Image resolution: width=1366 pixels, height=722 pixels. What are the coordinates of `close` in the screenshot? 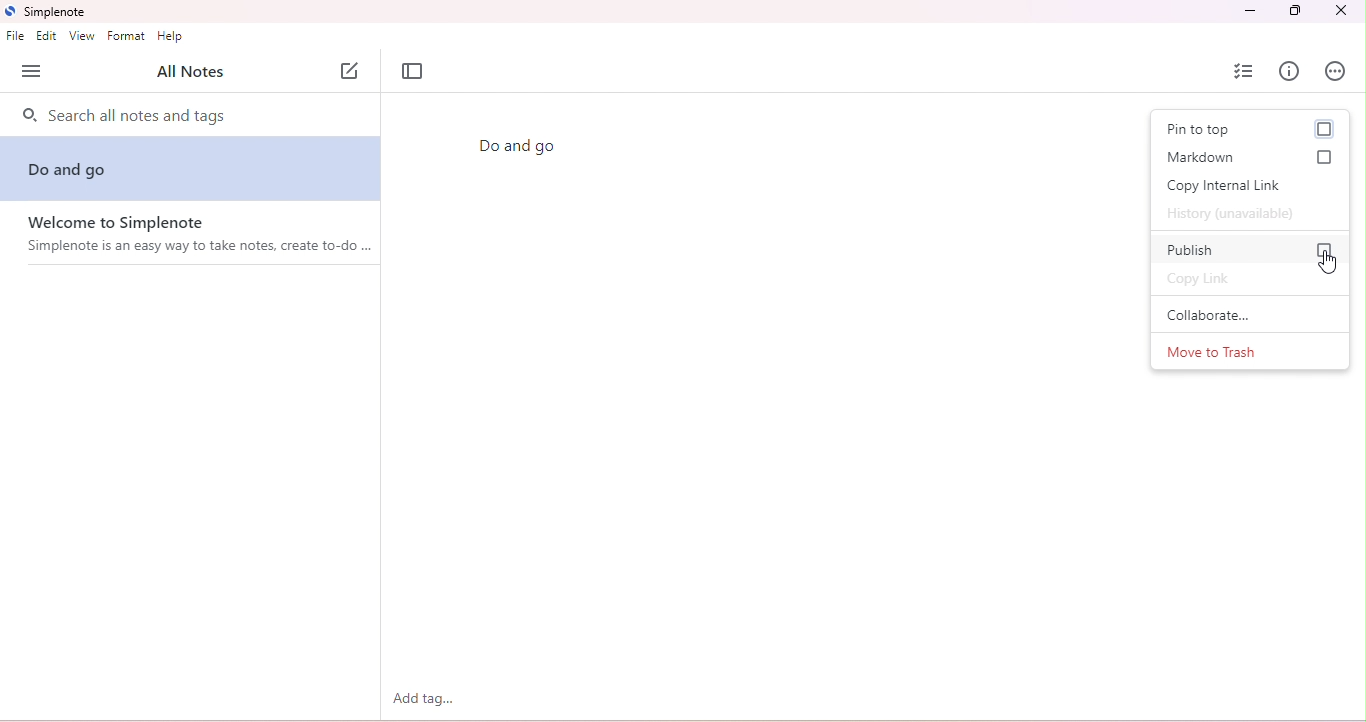 It's located at (1338, 11).